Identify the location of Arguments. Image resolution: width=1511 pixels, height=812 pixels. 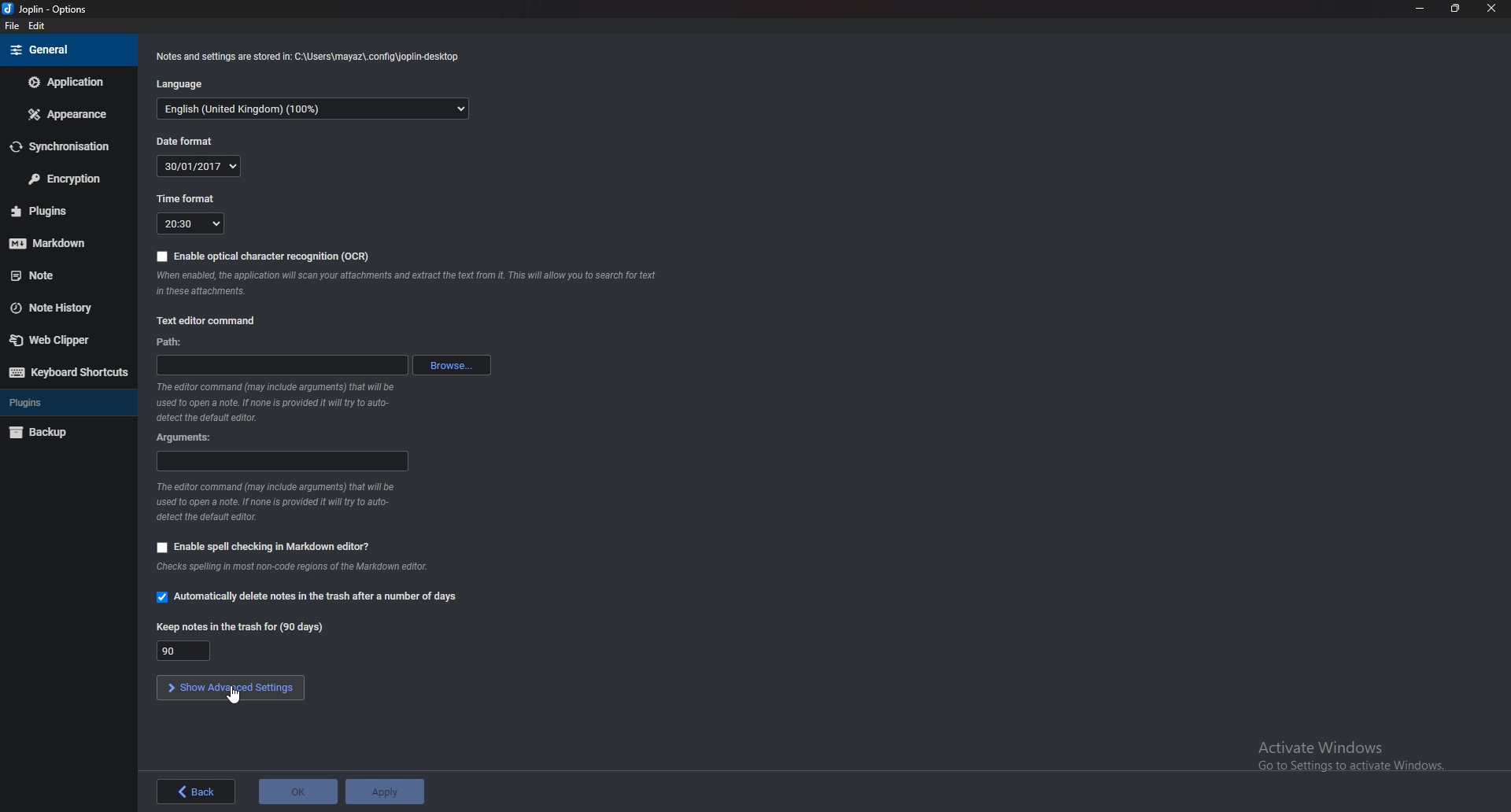
(191, 439).